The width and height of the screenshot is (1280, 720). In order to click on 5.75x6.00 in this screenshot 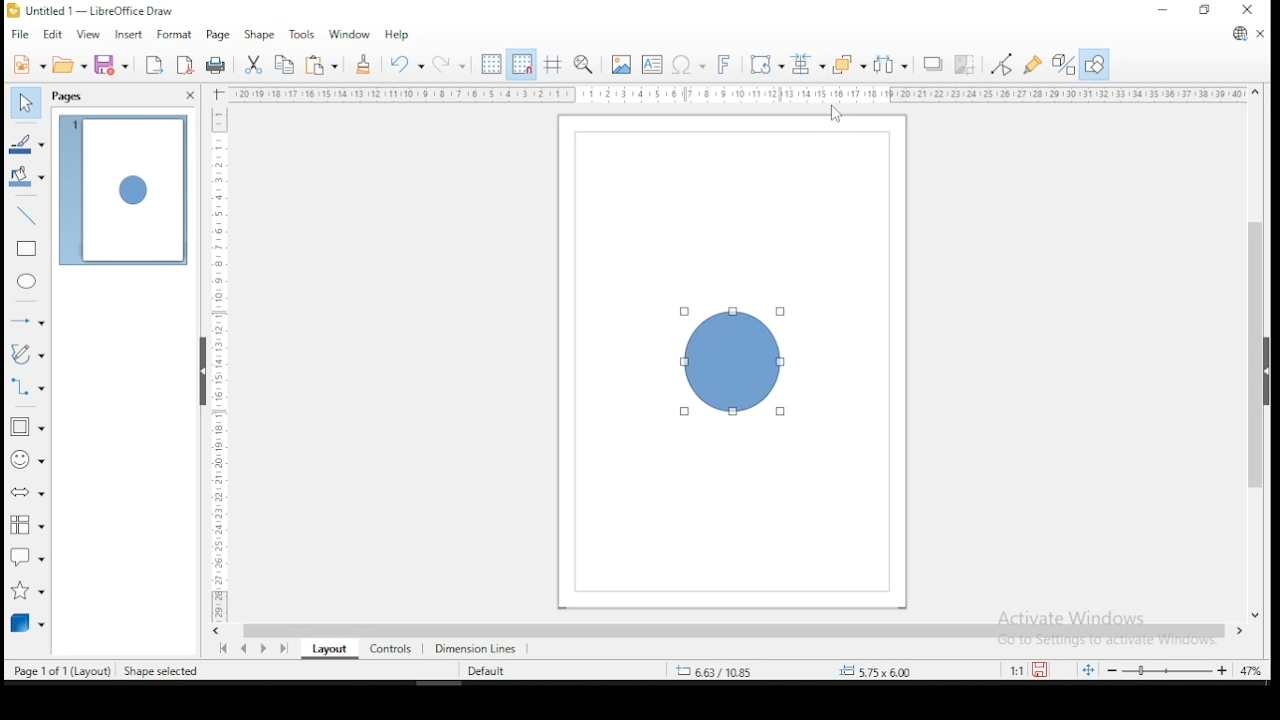, I will do `click(873, 671)`.